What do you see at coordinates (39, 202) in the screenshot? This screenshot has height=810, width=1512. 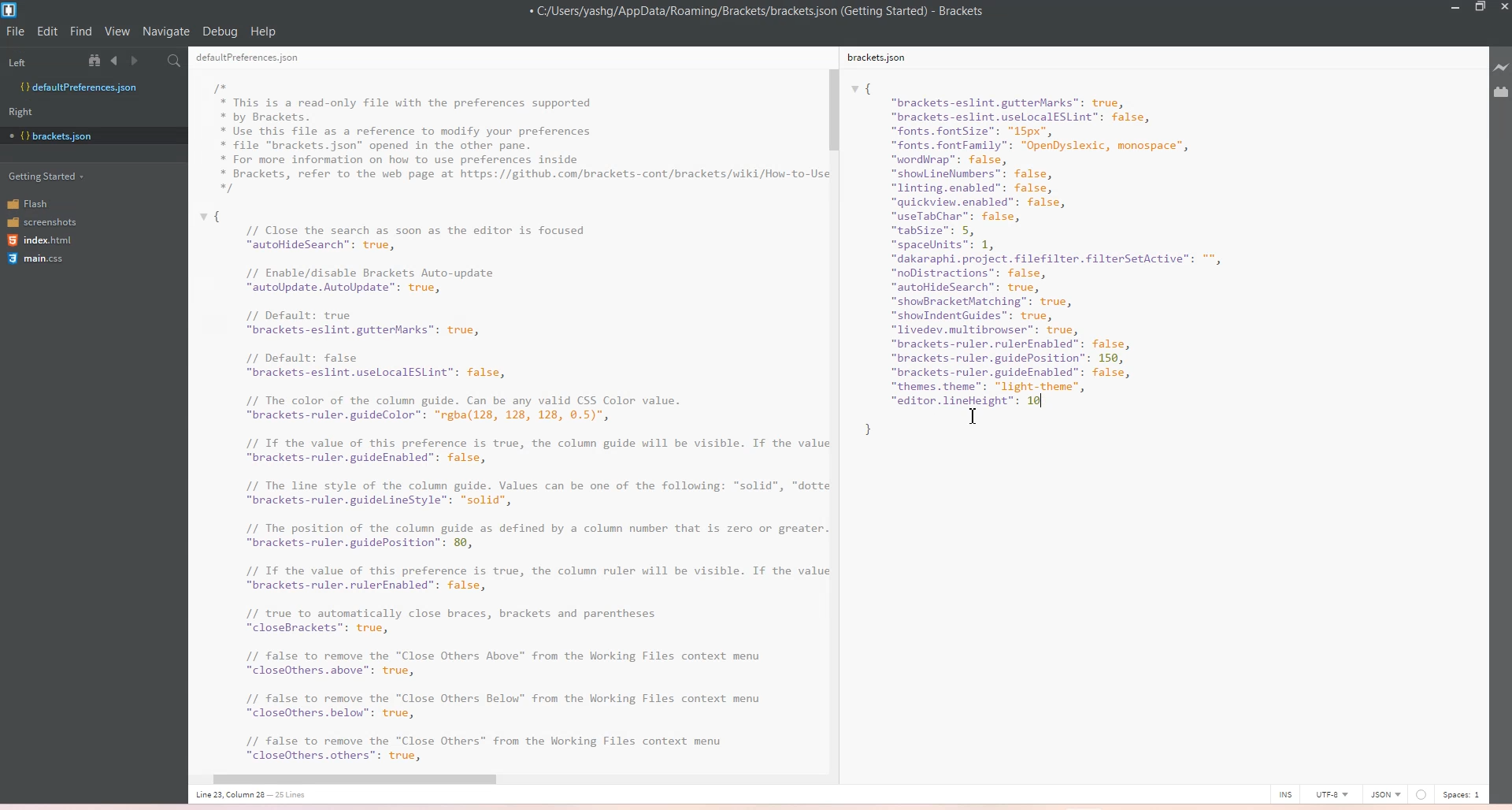 I see `Flash` at bounding box center [39, 202].